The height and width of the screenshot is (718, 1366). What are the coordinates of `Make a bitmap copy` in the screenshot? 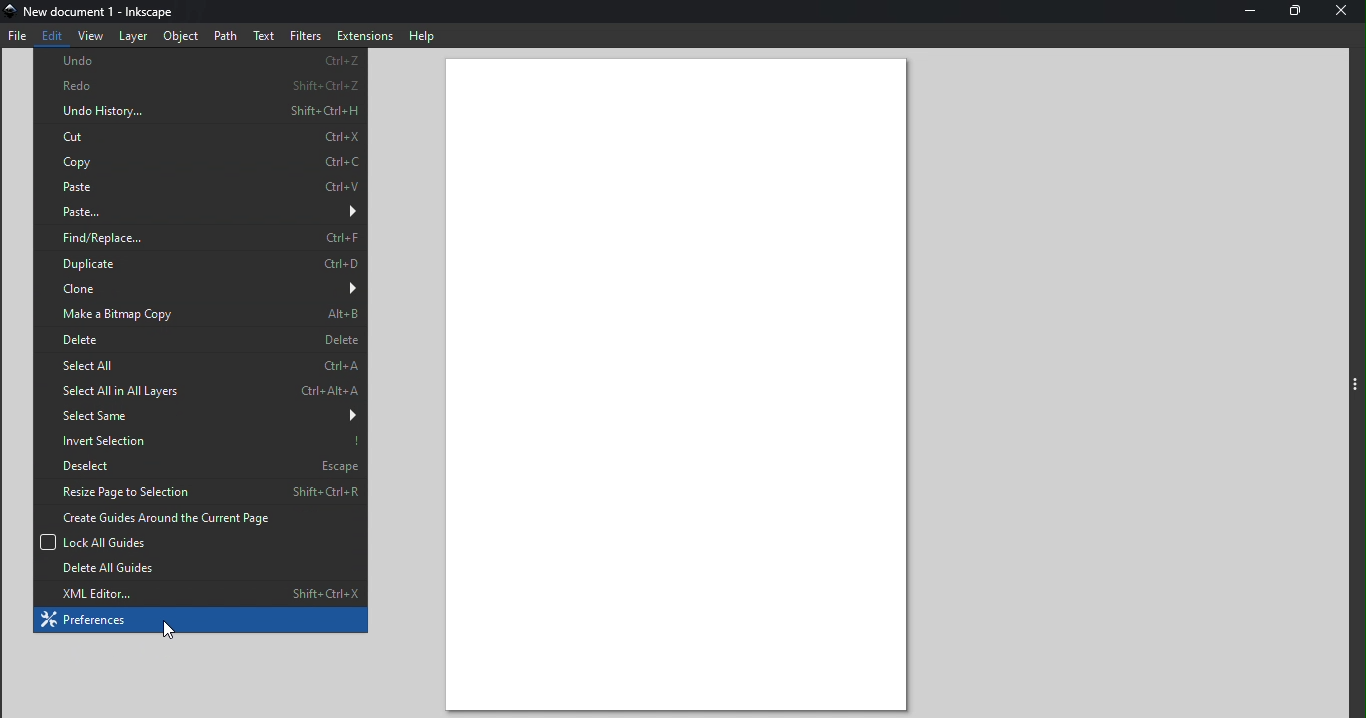 It's located at (199, 314).